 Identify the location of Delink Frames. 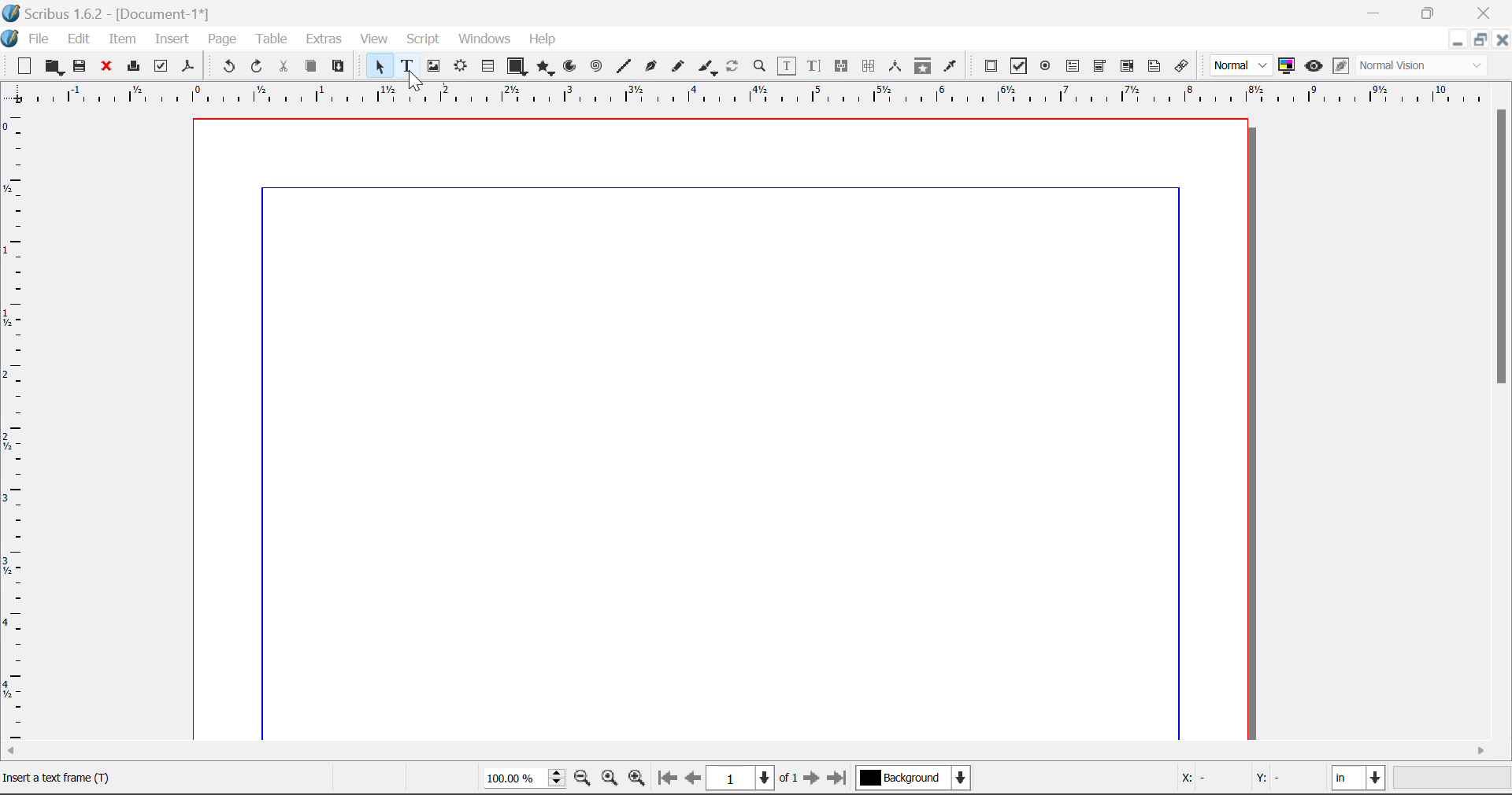
(870, 66).